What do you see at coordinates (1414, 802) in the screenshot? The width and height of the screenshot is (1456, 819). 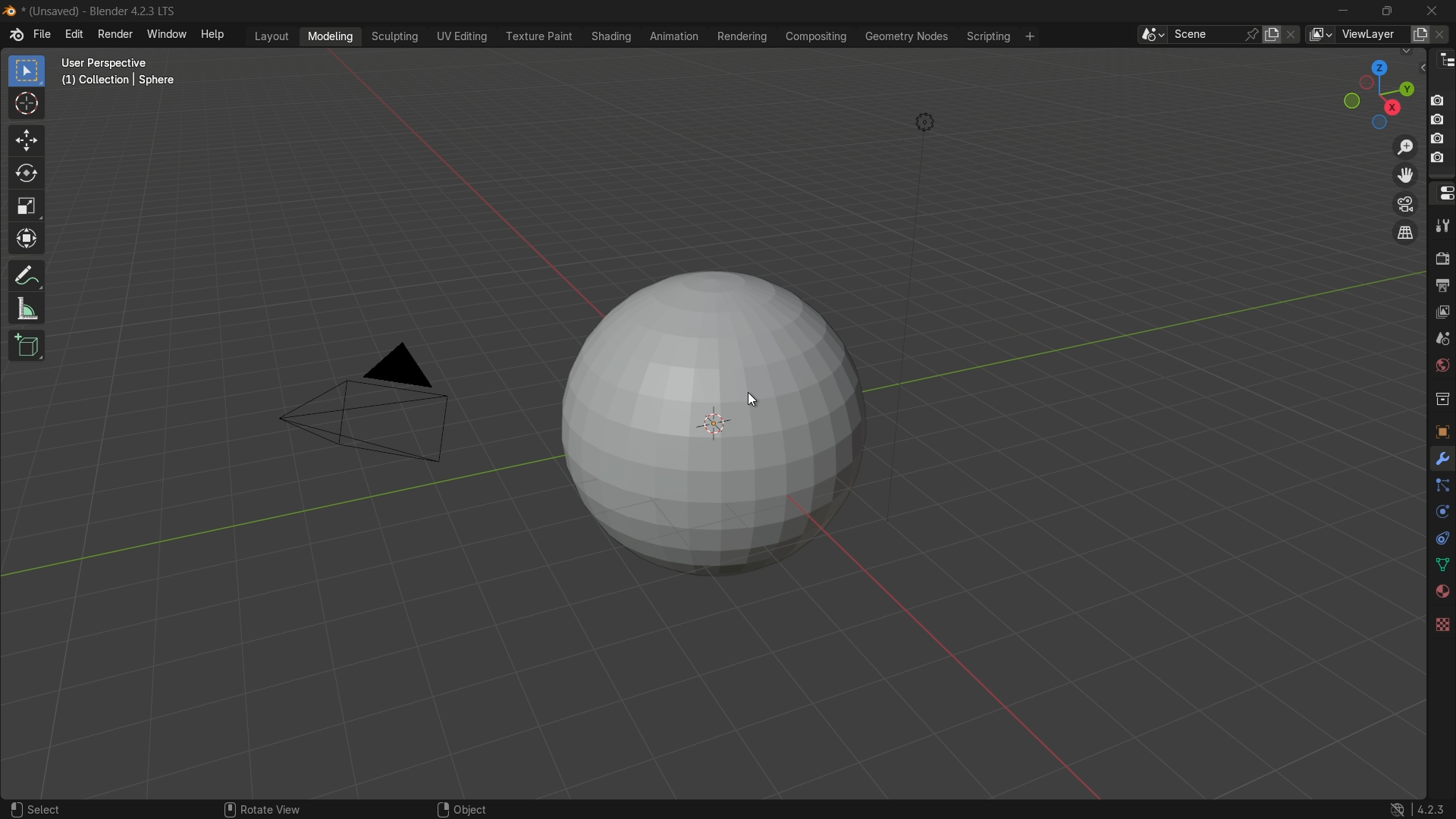 I see `4.2.3` at bounding box center [1414, 802].